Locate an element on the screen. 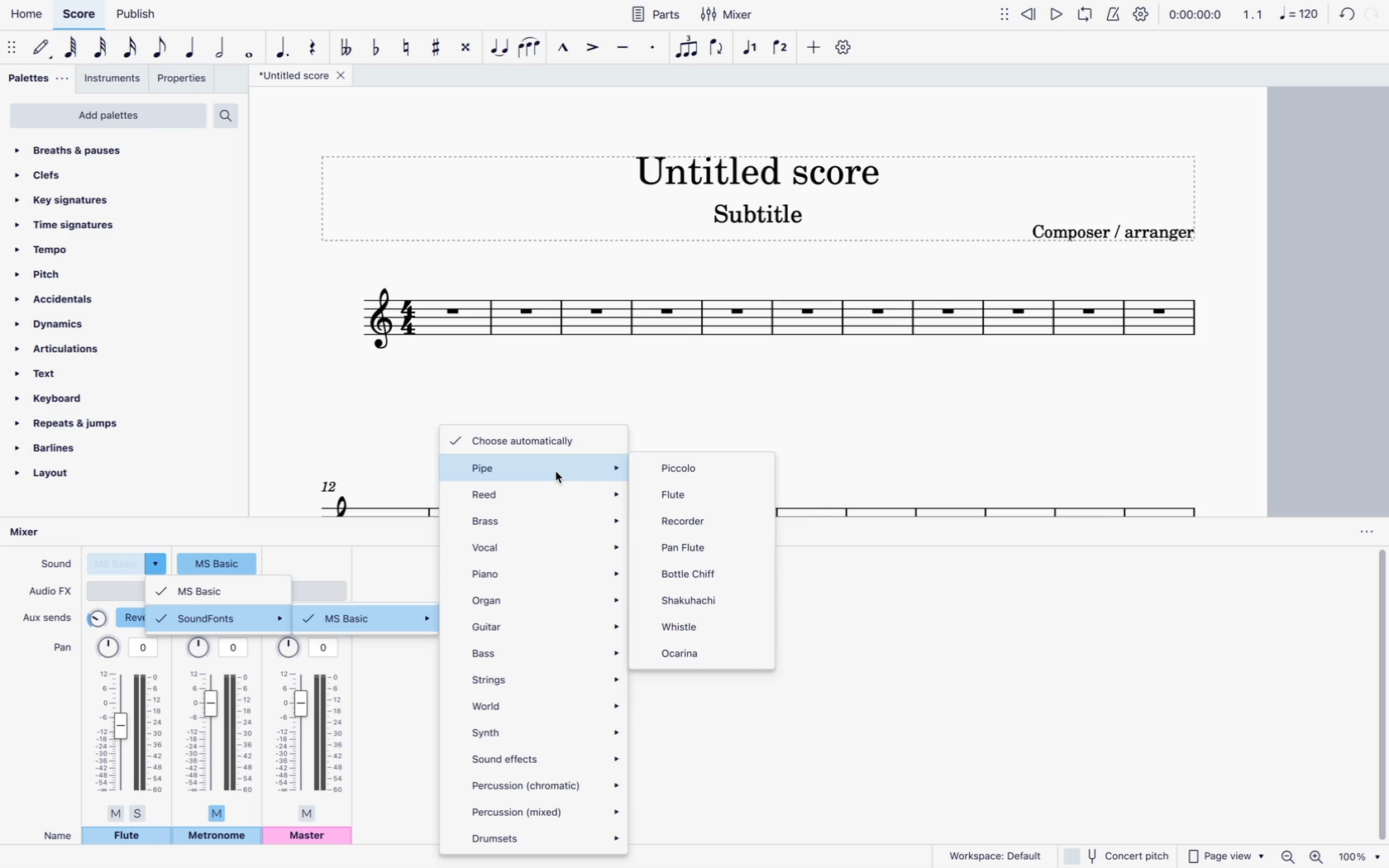  toggle natural is located at coordinates (404, 46).